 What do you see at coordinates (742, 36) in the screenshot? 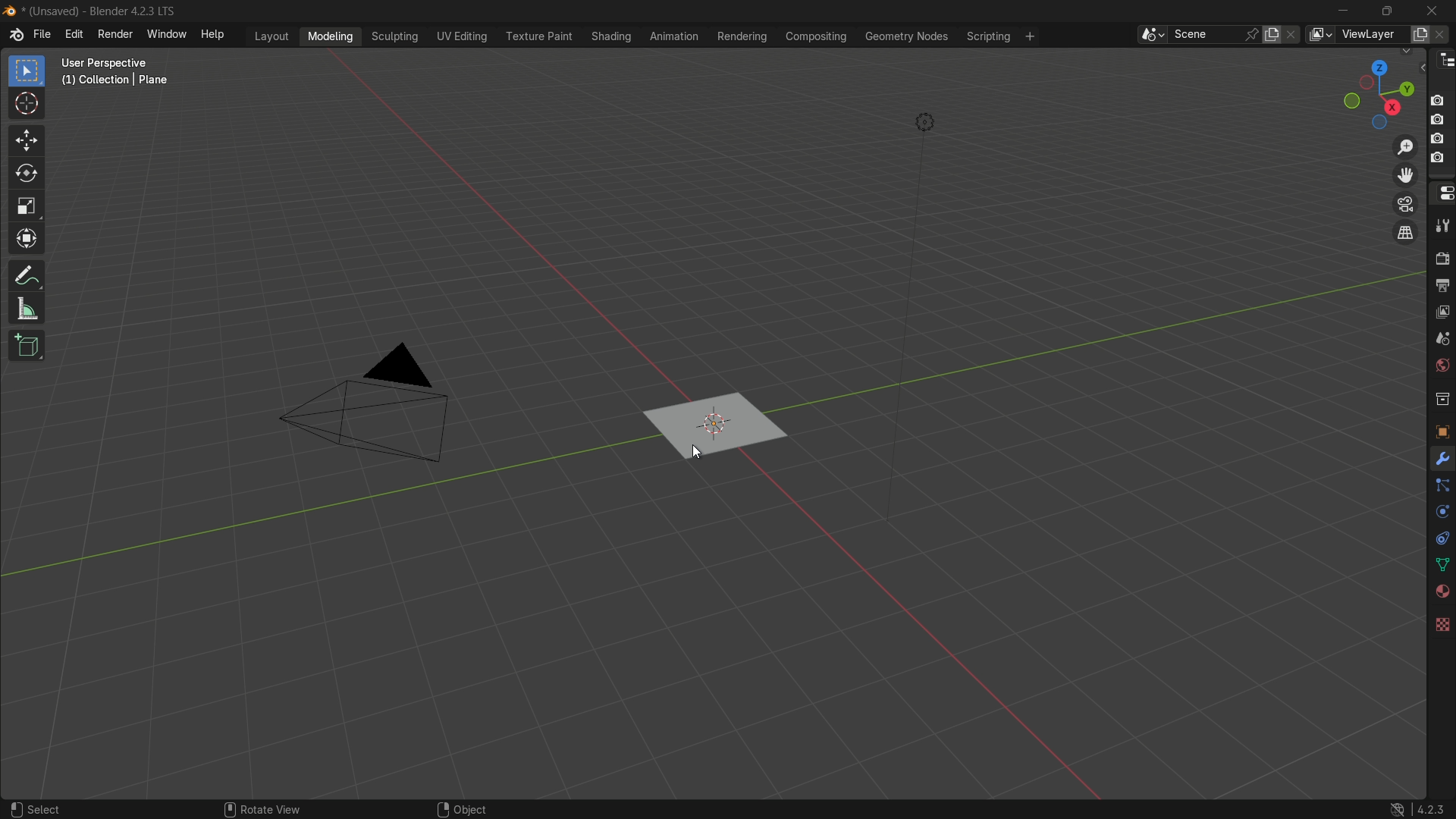
I see `rendering` at bounding box center [742, 36].